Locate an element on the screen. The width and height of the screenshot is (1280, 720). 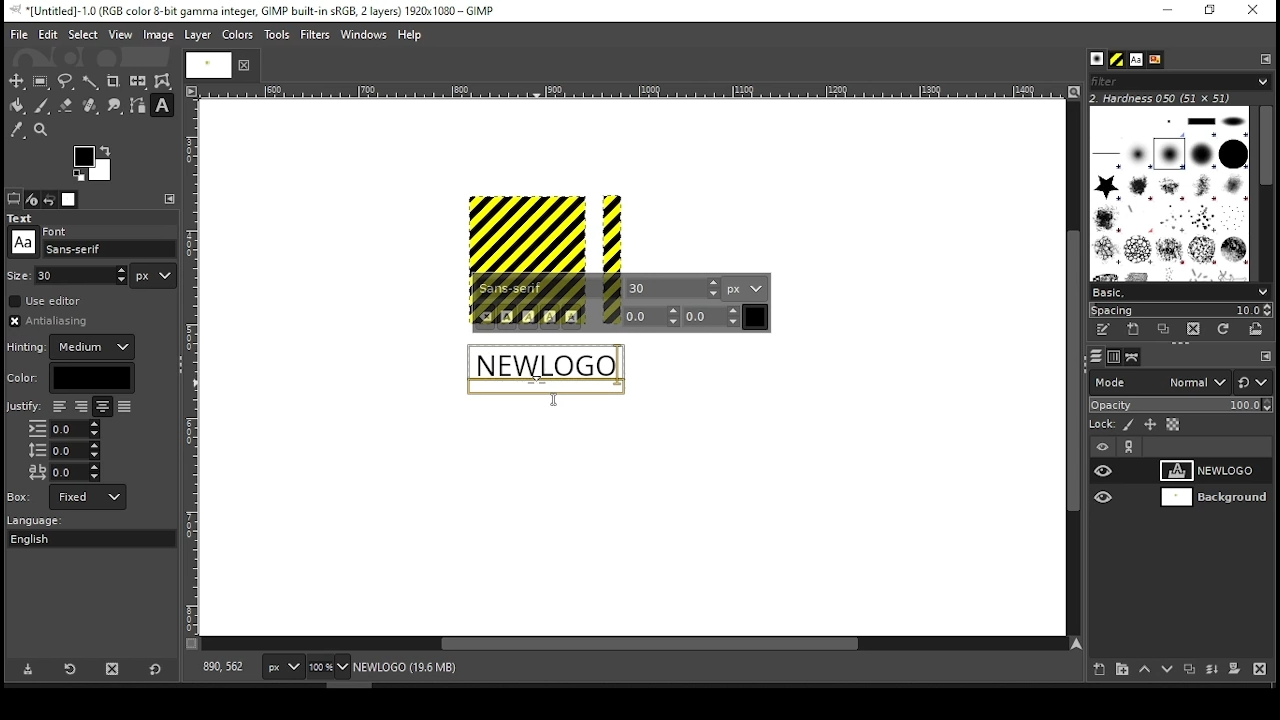
merge layer is located at coordinates (1212, 670).